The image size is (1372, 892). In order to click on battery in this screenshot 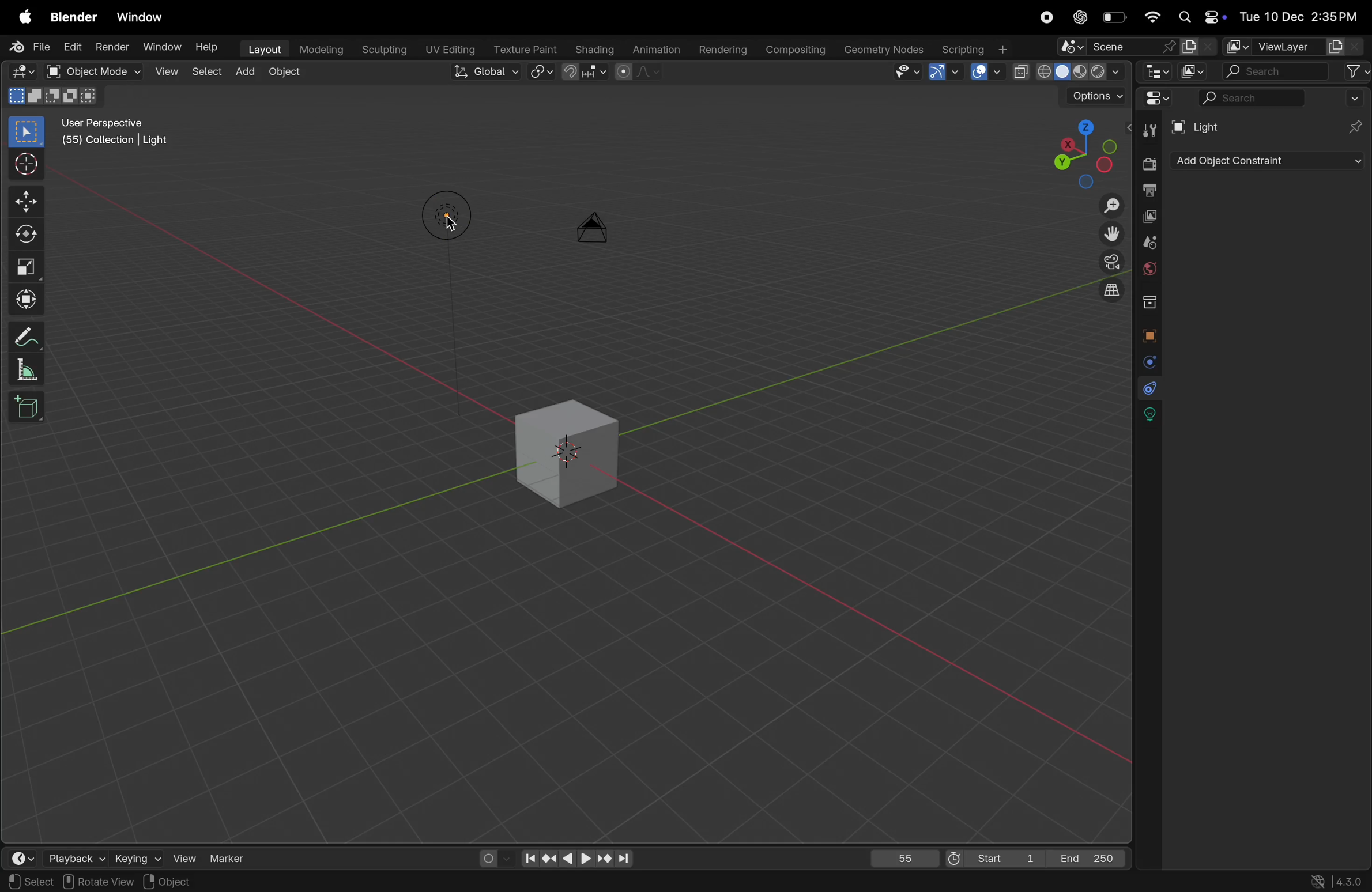, I will do `click(1115, 16)`.